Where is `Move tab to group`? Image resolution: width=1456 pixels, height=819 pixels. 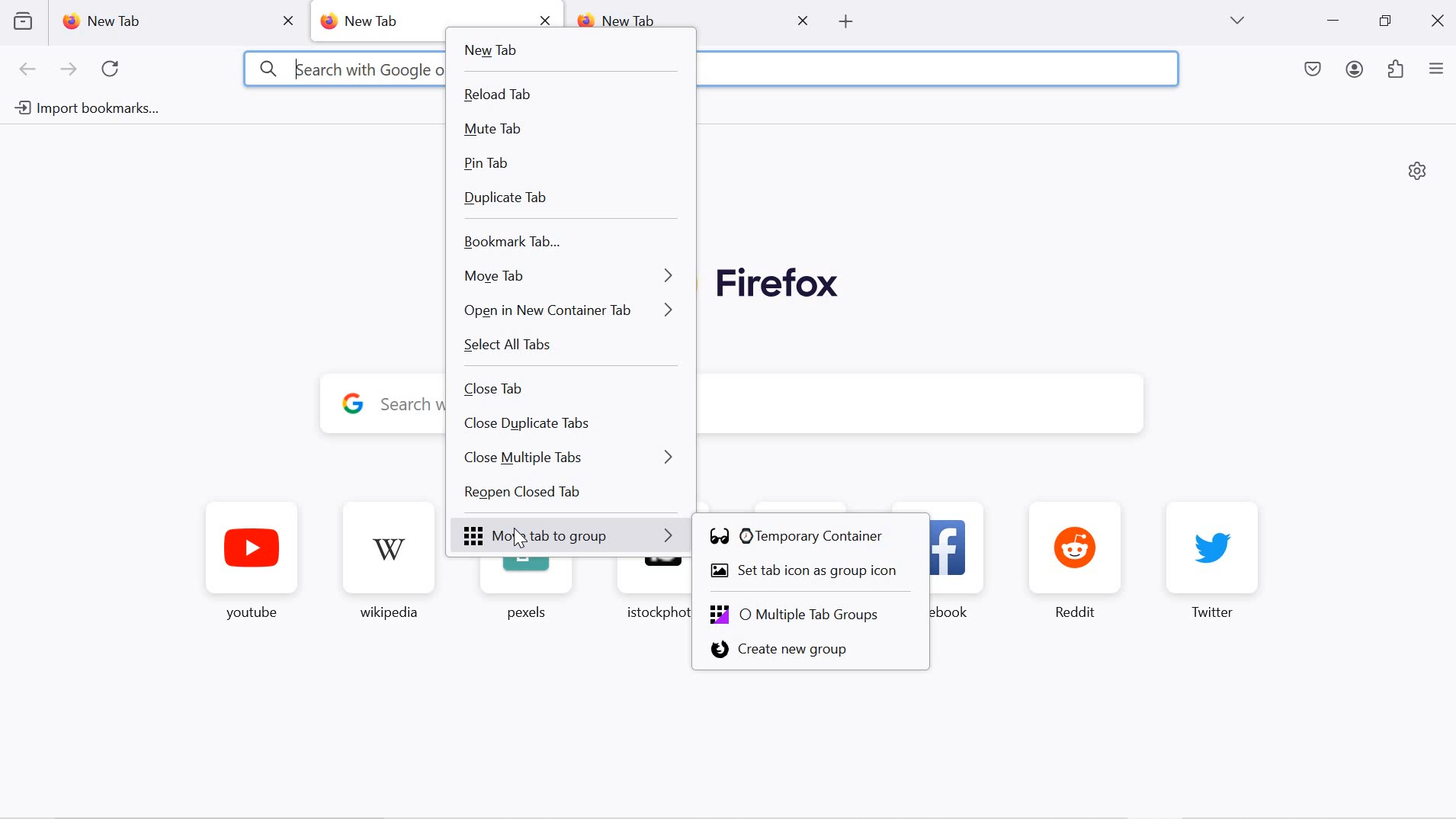
Move tab to group is located at coordinates (572, 535).